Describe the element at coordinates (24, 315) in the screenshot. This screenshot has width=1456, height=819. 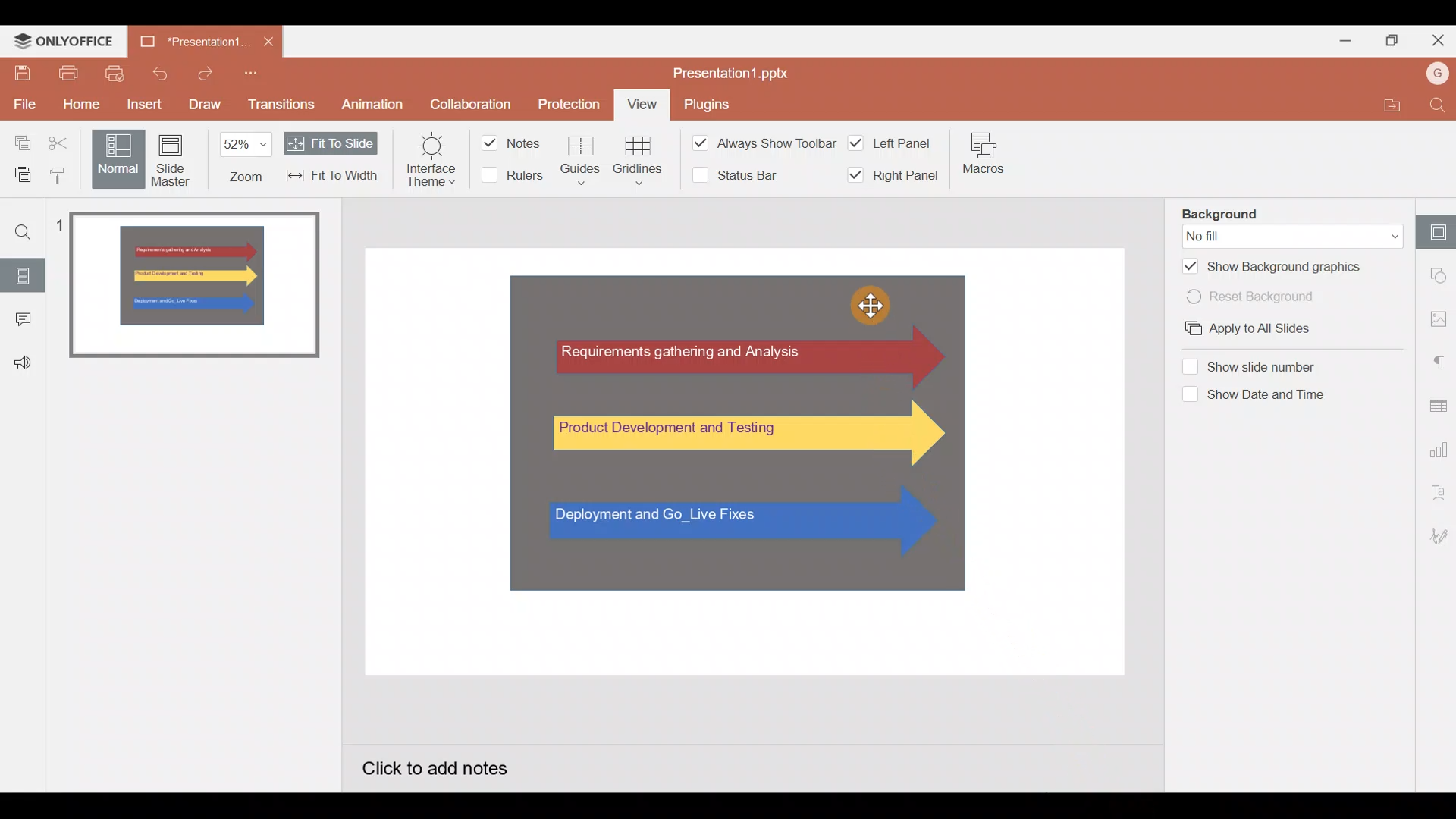
I see `Comments` at that location.